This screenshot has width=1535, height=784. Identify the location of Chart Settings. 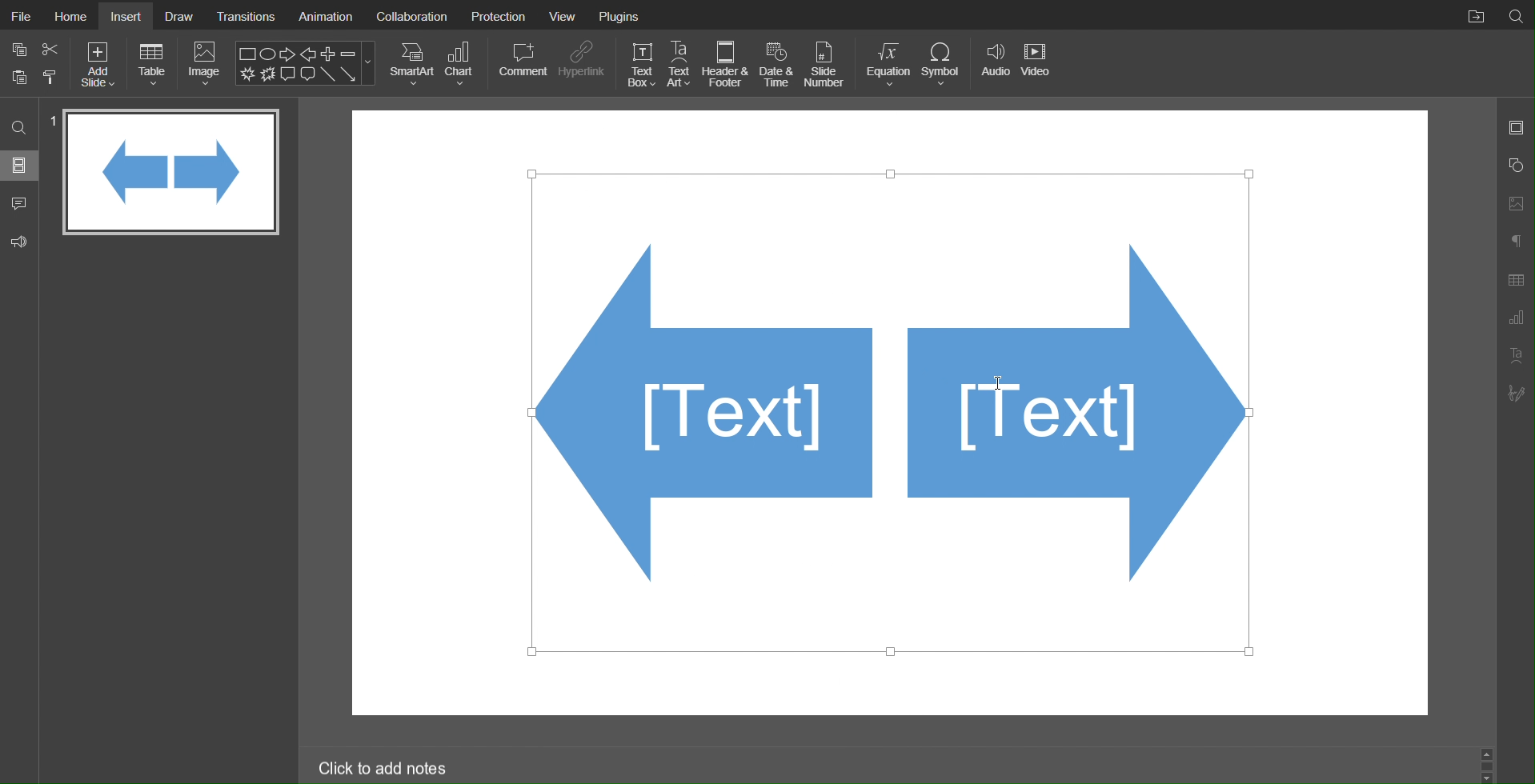
(1516, 319).